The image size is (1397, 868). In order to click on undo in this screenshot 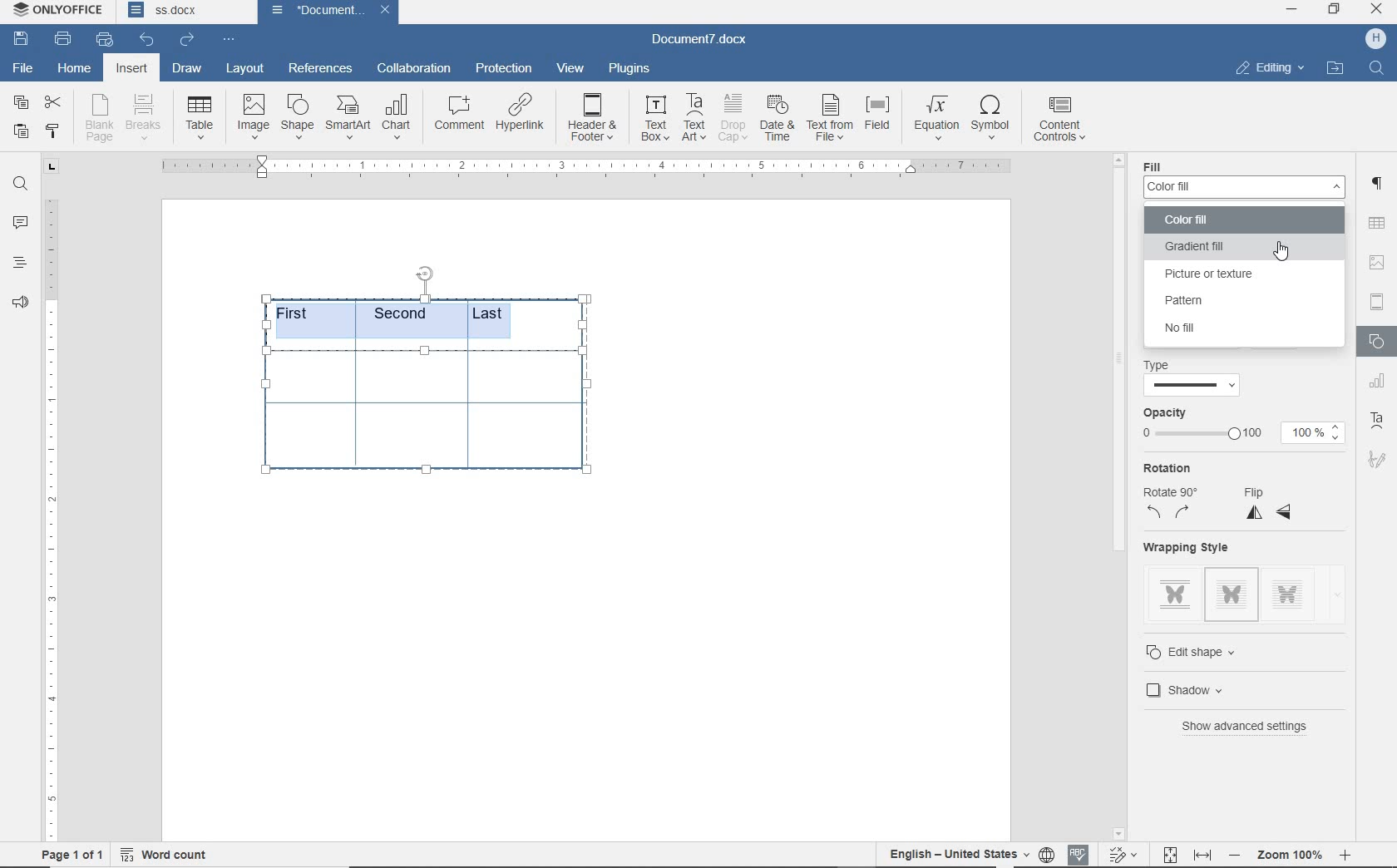, I will do `click(146, 38)`.